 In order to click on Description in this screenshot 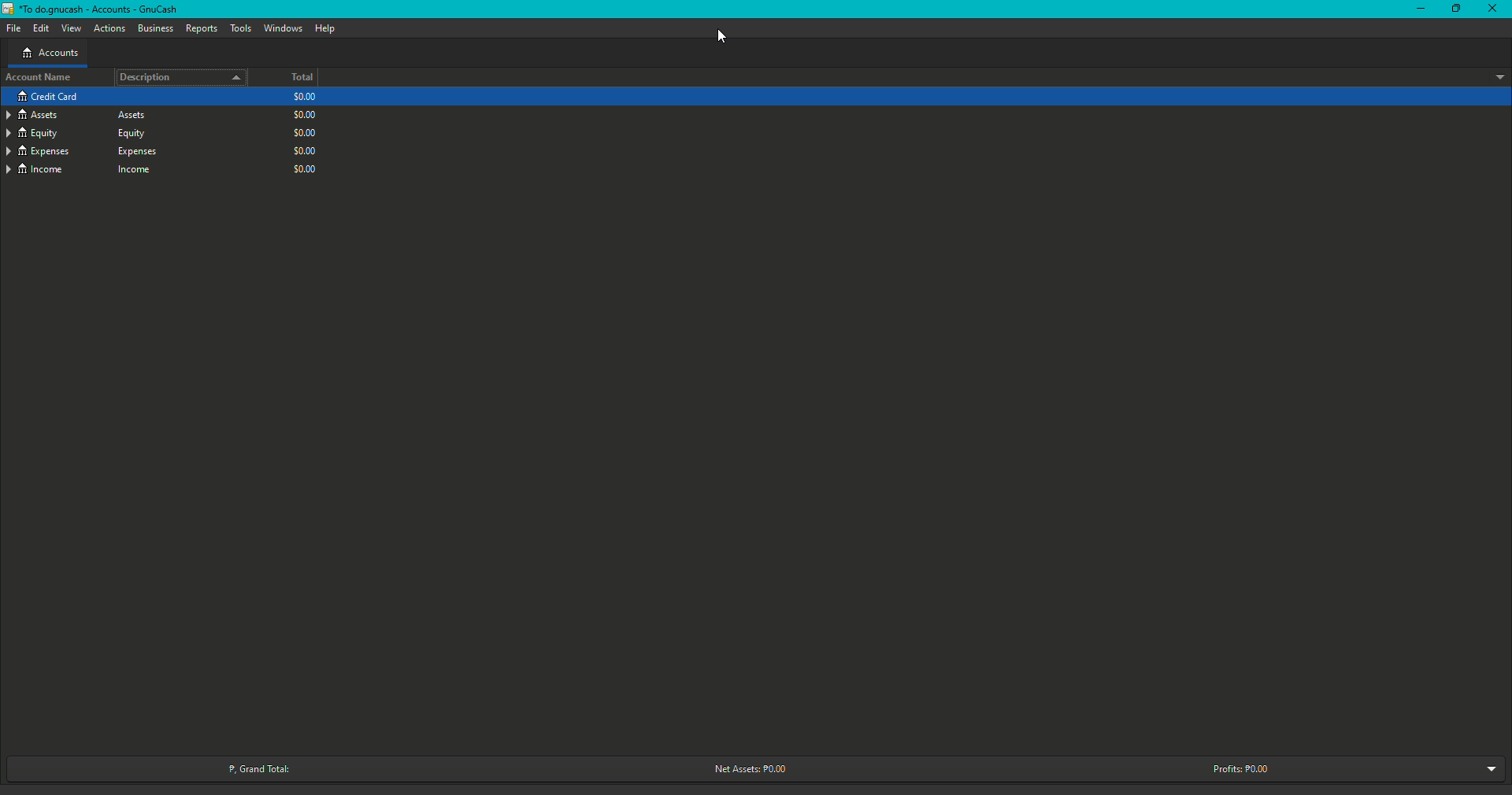, I will do `click(182, 77)`.